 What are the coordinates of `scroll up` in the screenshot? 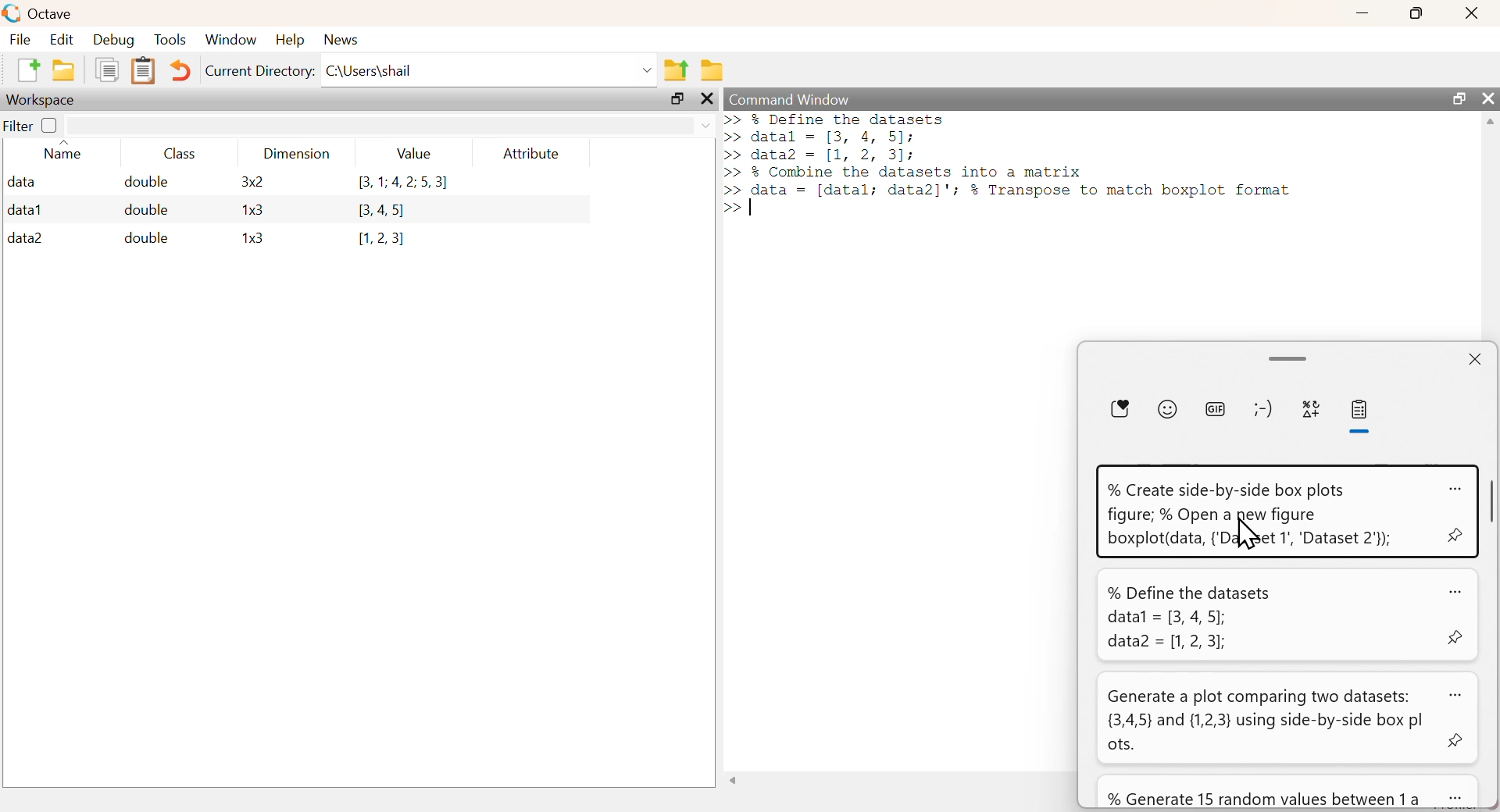 It's located at (1488, 124).